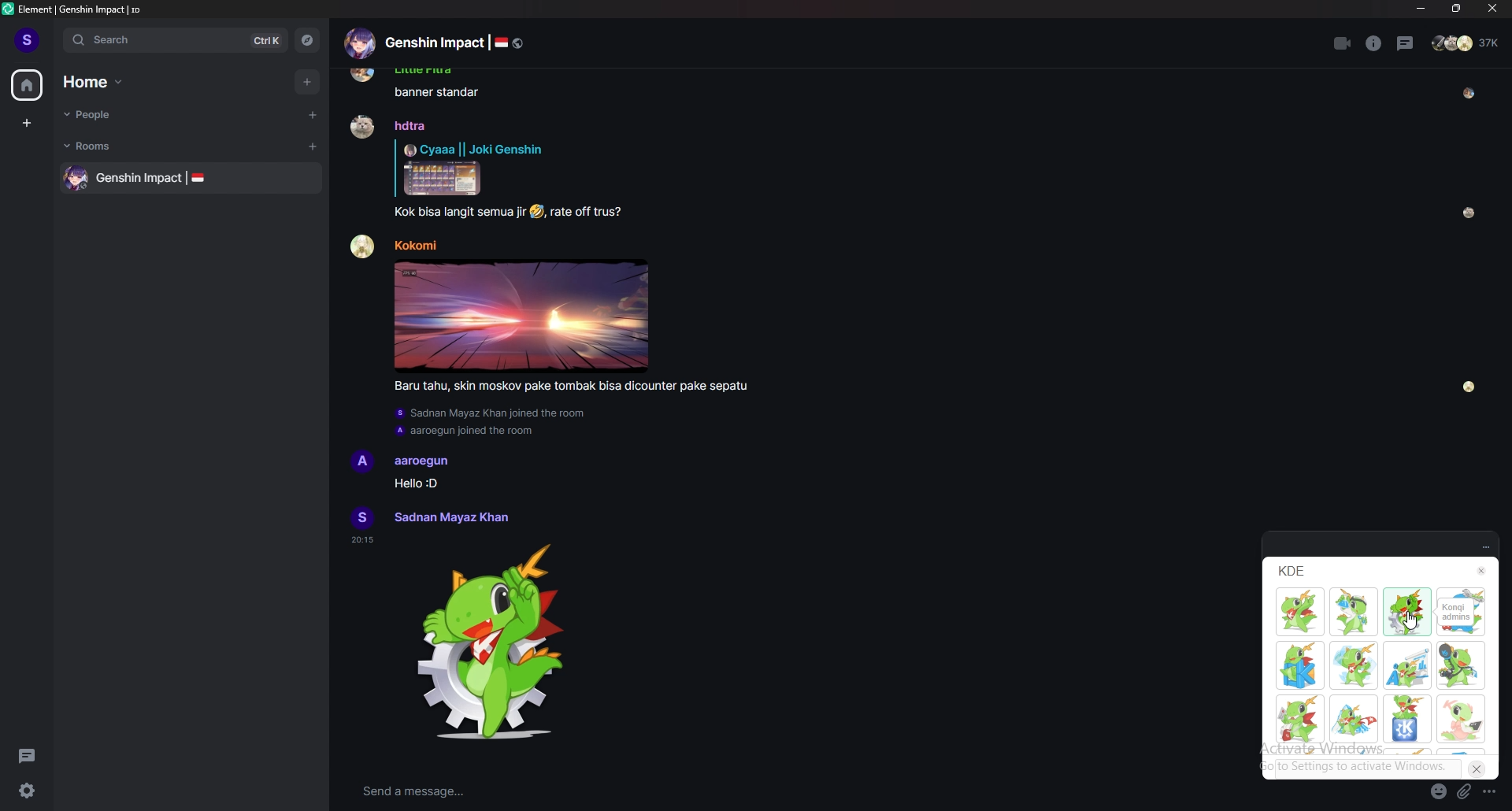 Image resolution: width=1512 pixels, height=811 pixels. I want to click on Kongi admins sticker, so click(490, 643).